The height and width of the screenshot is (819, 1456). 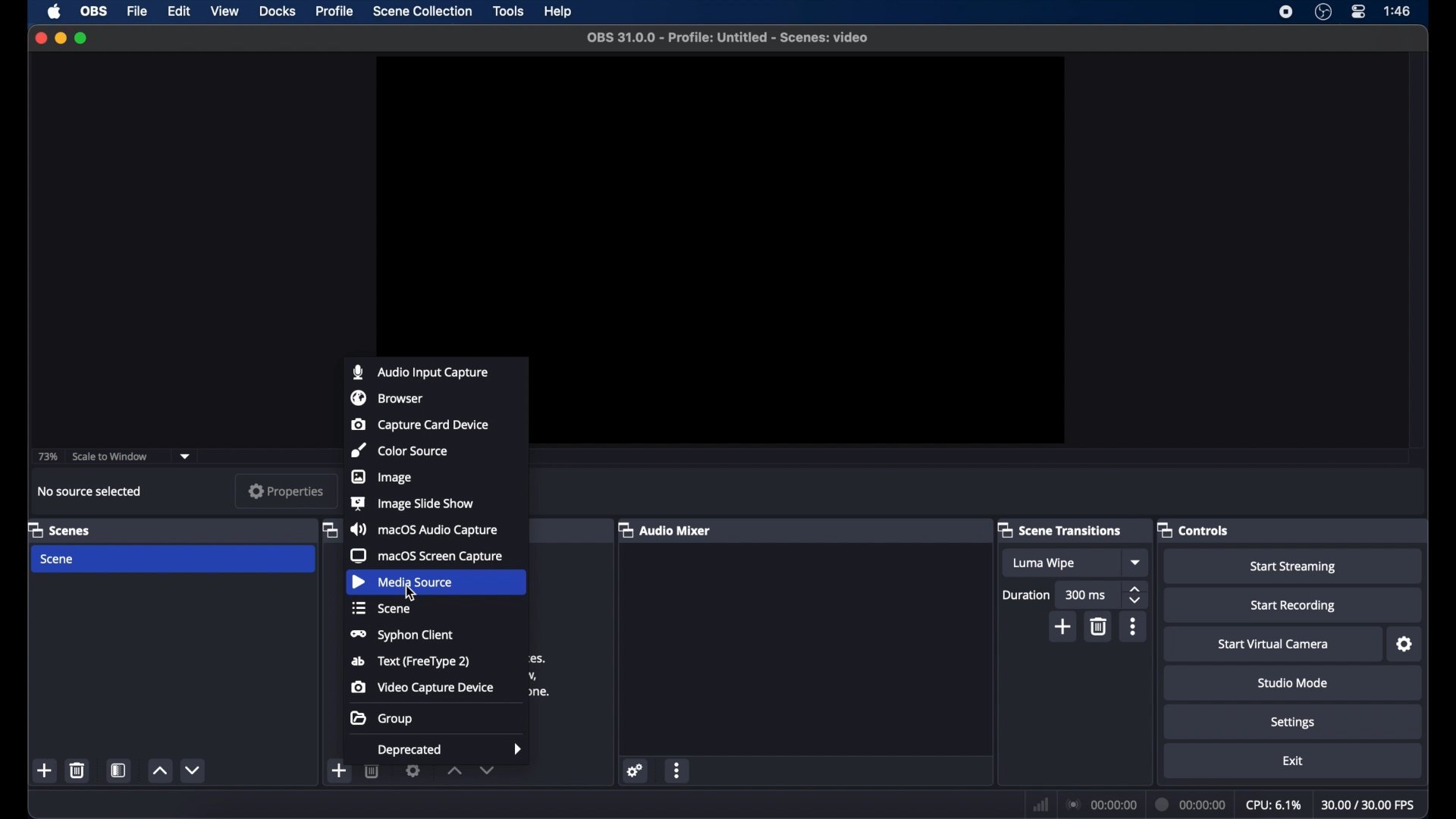 I want to click on settings, so click(x=1294, y=723).